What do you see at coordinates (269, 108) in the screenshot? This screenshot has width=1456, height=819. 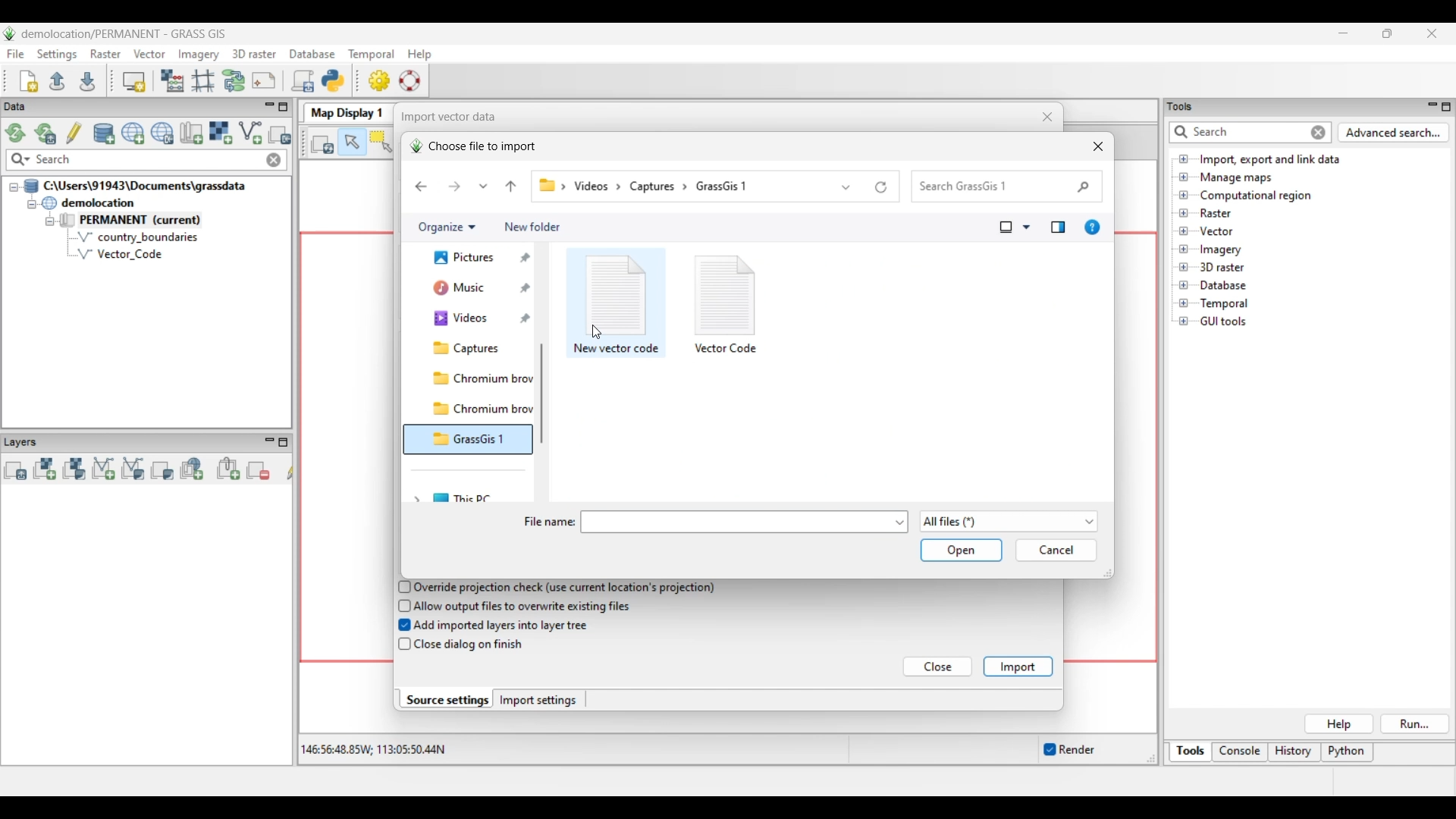 I see `Minimize Data menu` at bounding box center [269, 108].